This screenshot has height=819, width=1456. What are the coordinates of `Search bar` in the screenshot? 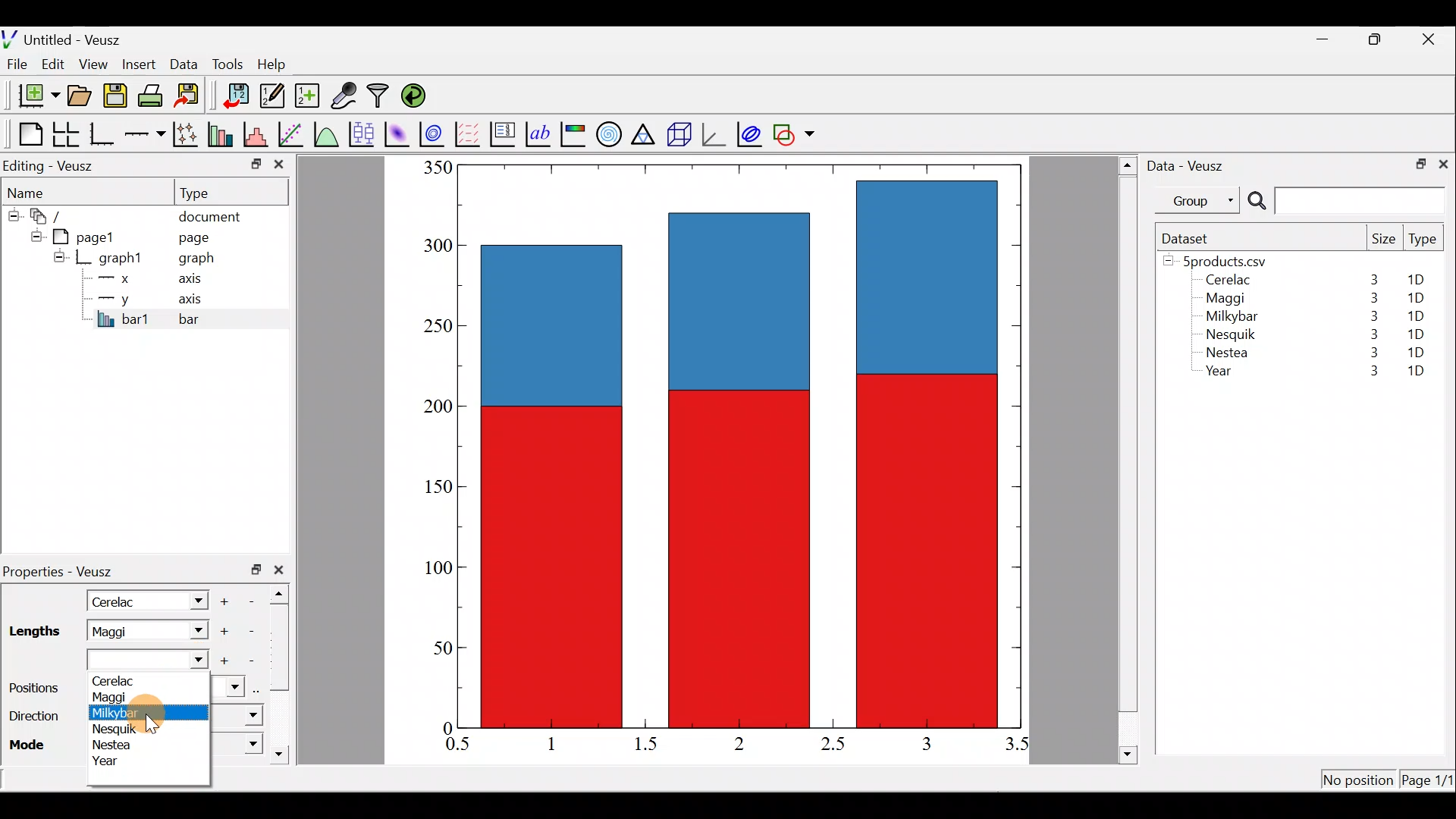 It's located at (1344, 201).